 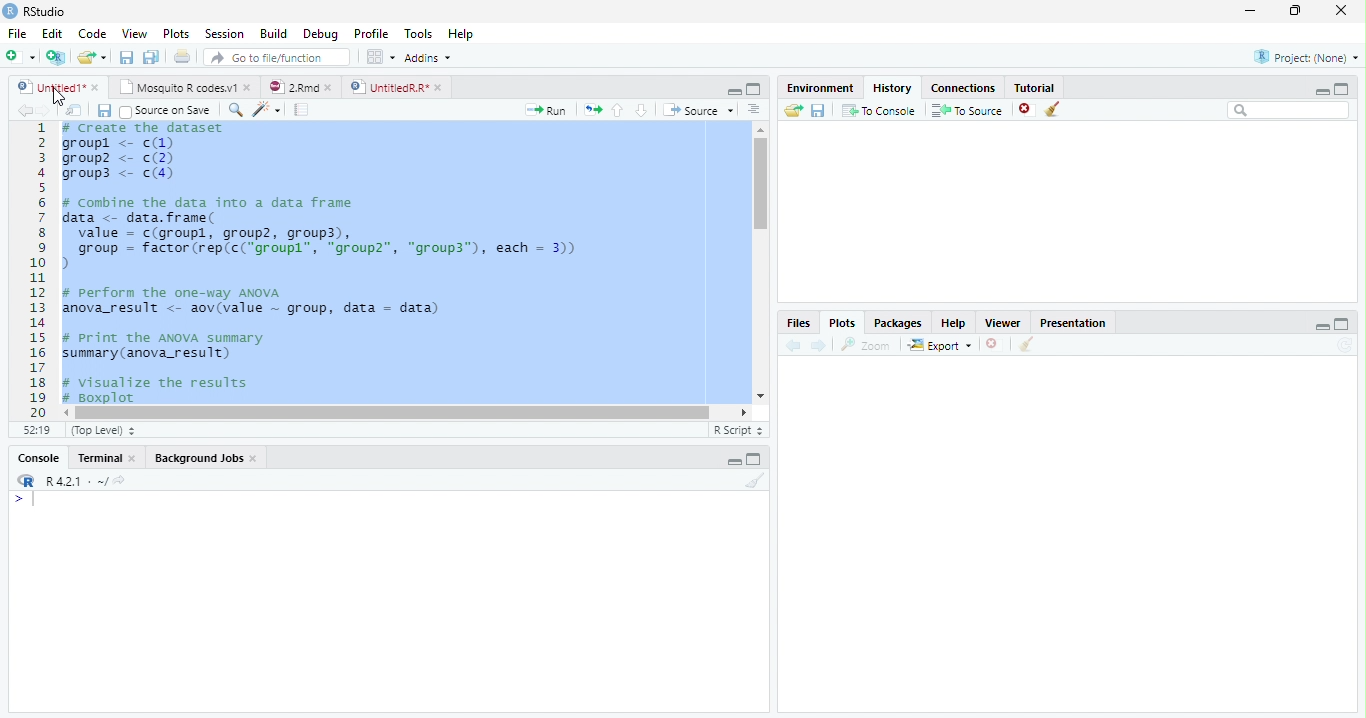 What do you see at coordinates (169, 111) in the screenshot?
I see `Source on save` at bounding box center [169, 111].